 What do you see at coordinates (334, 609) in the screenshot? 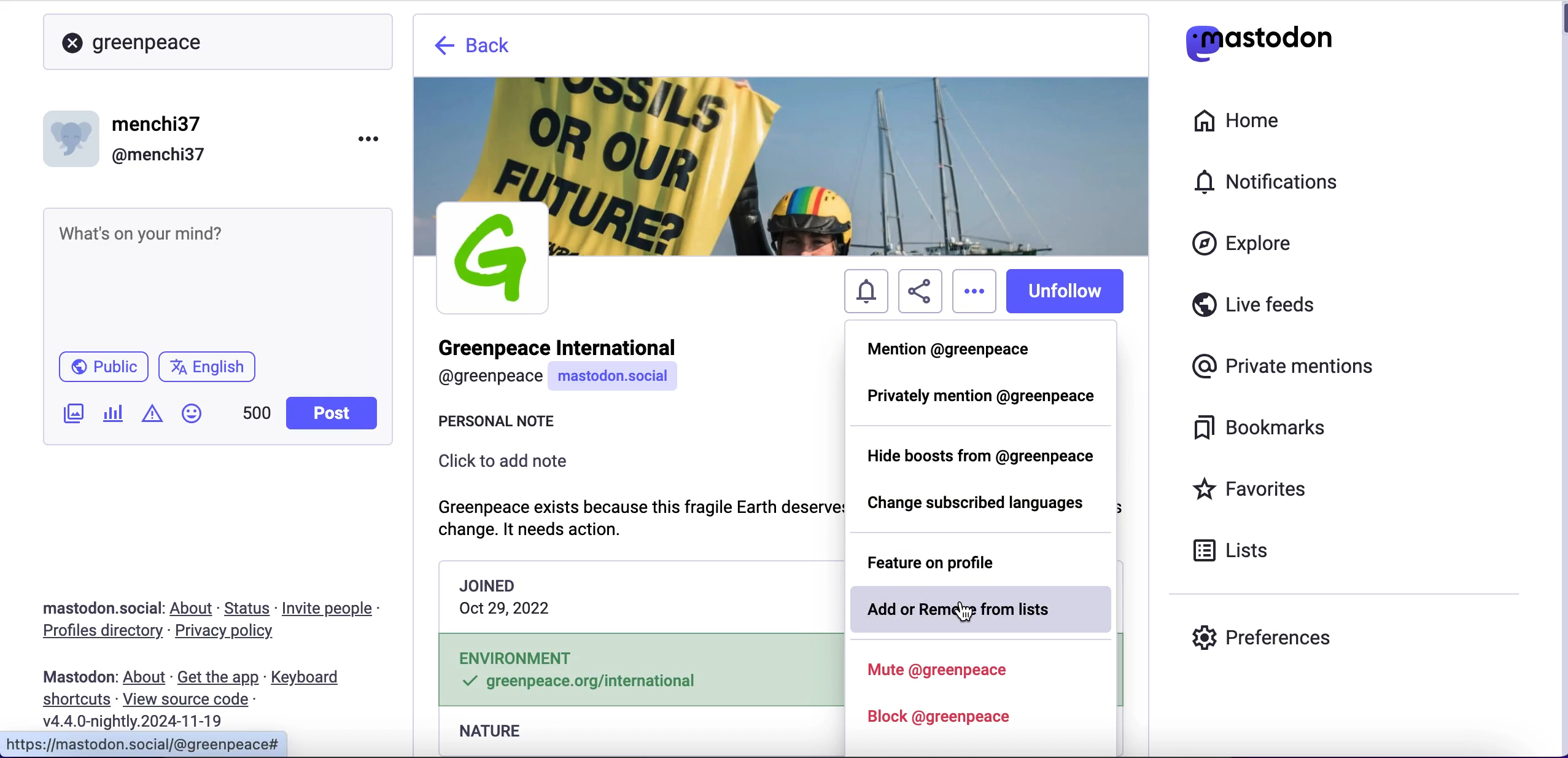
I see `invite people` at bounding box center [334, 609].